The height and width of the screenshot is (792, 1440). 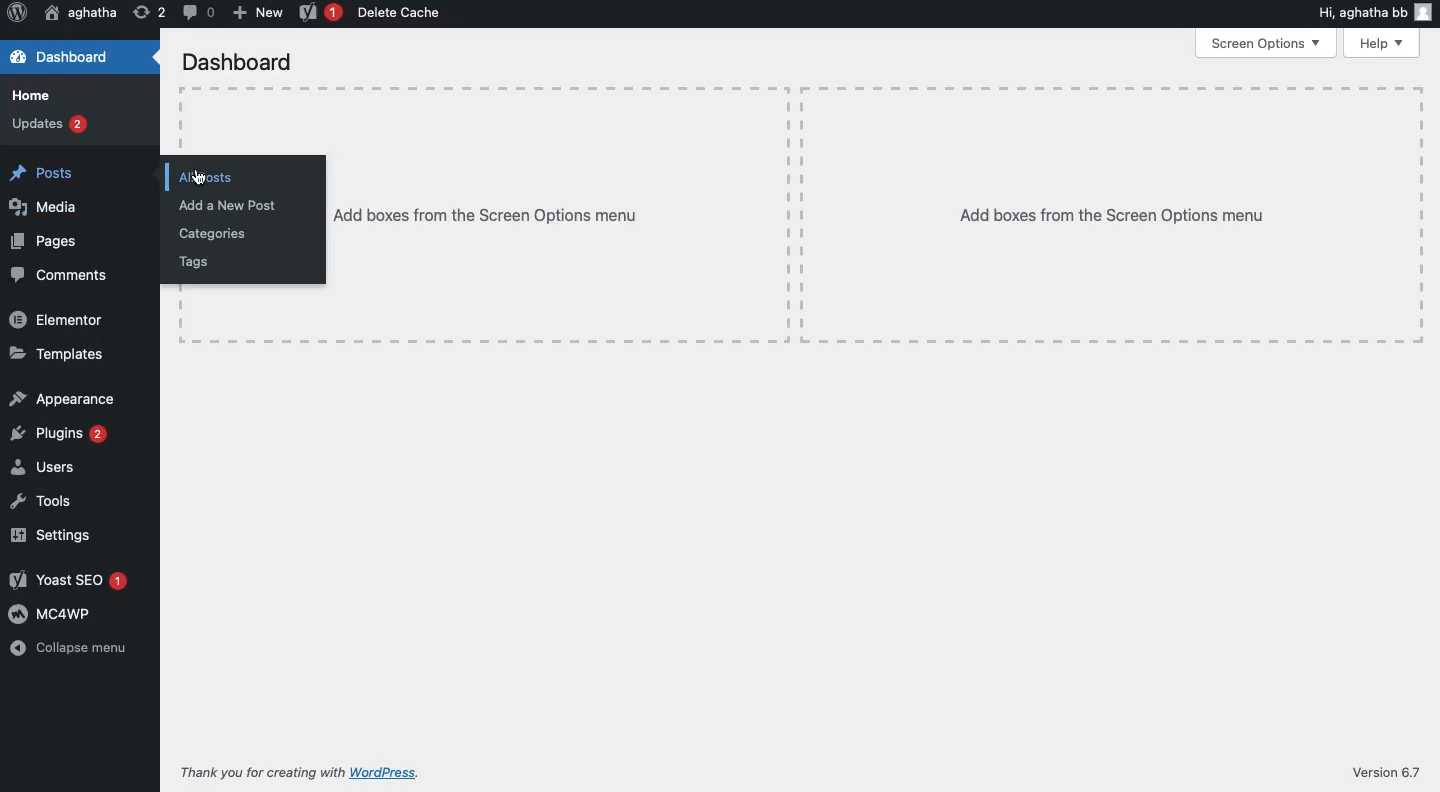 I want to click on Help, so click(x=1379, y=42).